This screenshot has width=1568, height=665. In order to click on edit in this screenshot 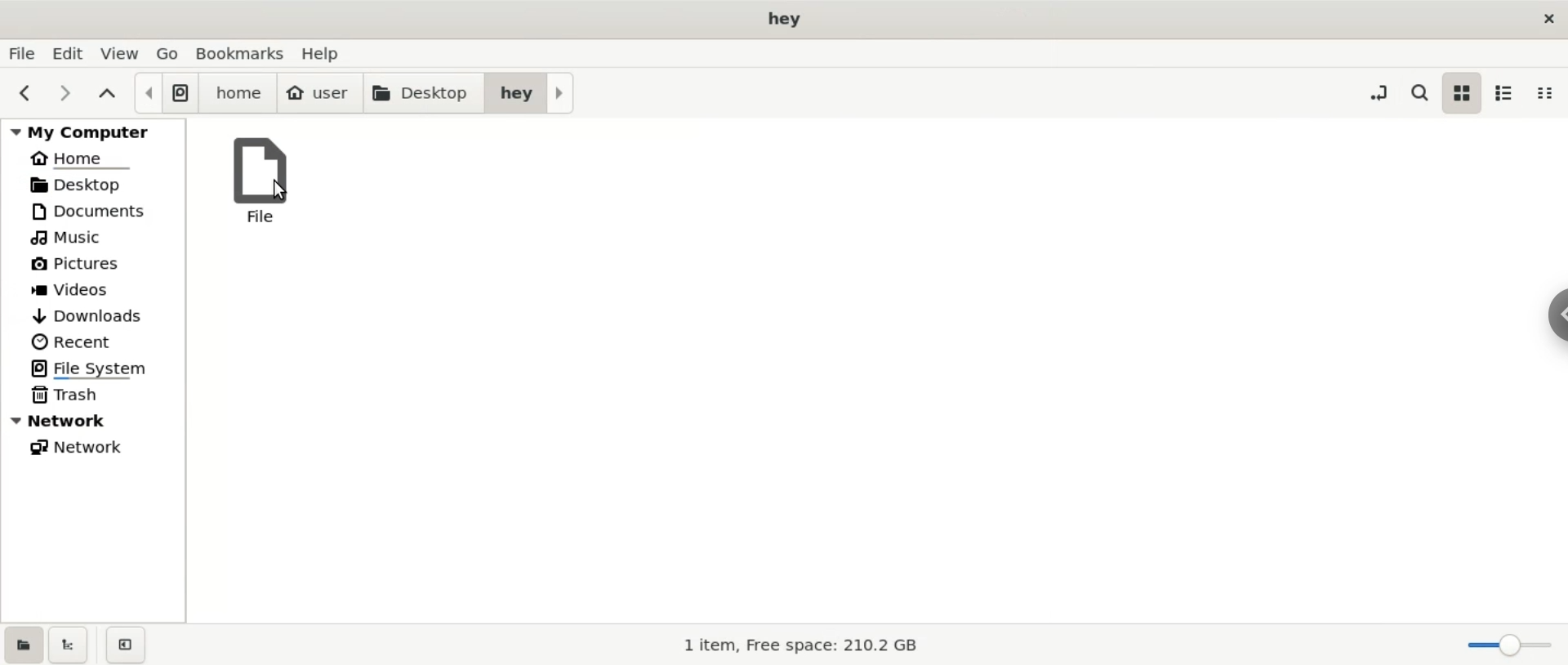, I will do `click(73, 53)`.